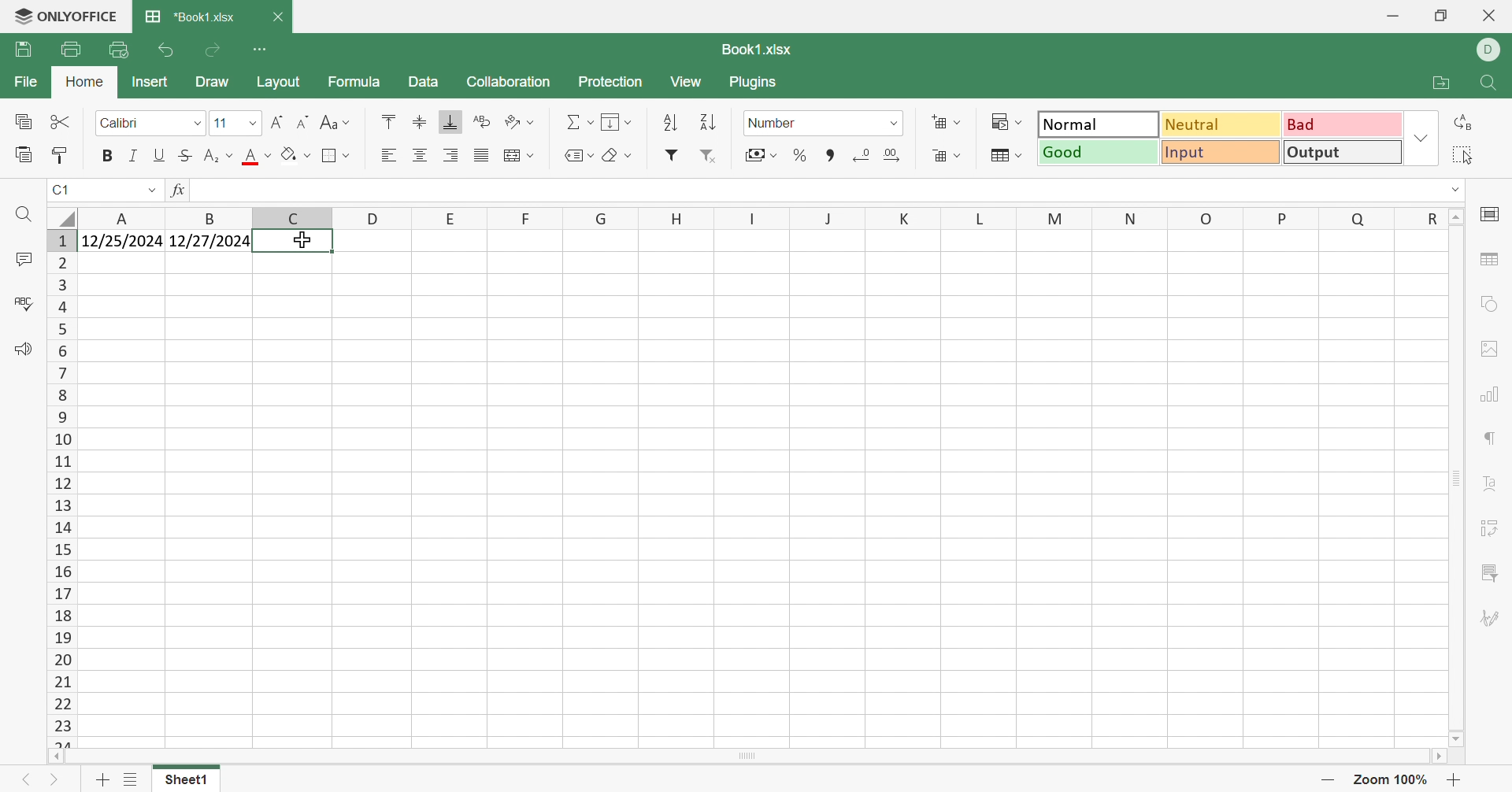 This screenshot has height=792, width=1512. What do you see at coordinates (254, 124) in the screenshot?
I see `Drop Down` at bounding box center [254, 124].